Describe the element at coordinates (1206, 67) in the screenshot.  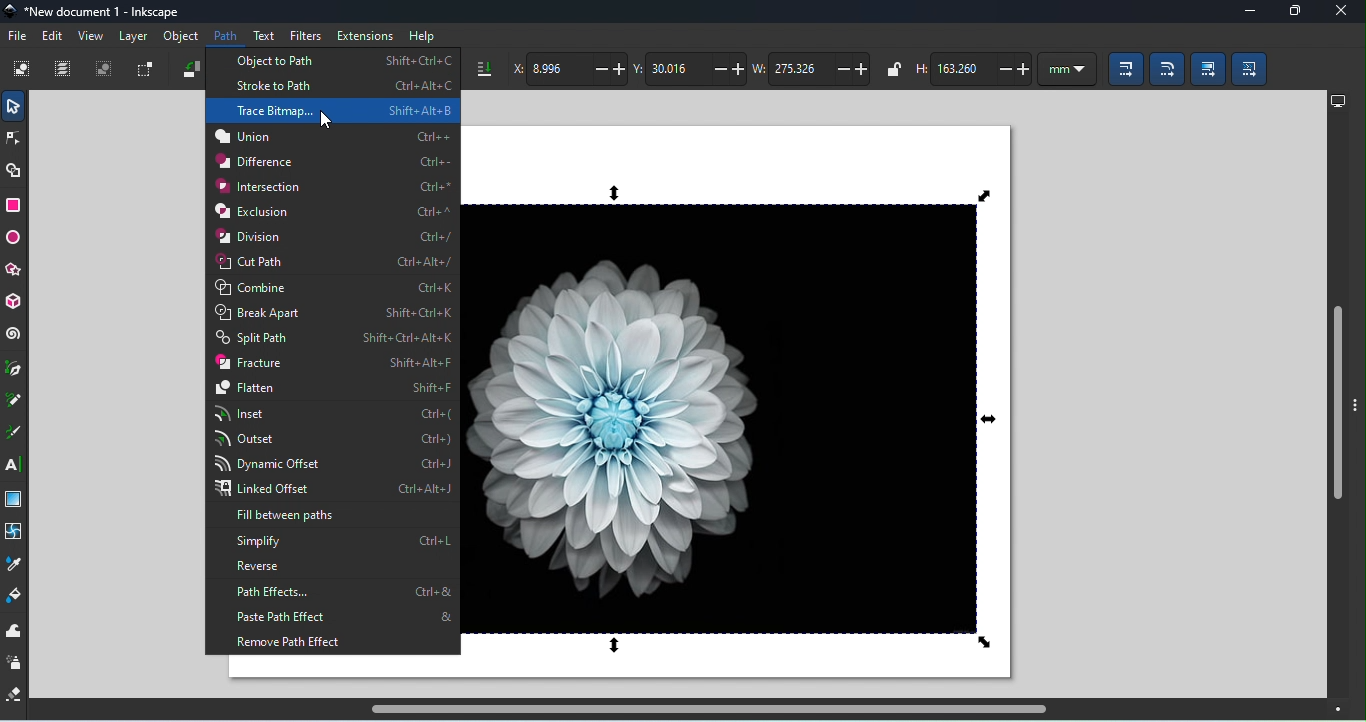
I see `Move gradients (in fill and stroke) along with the objects` at that location.